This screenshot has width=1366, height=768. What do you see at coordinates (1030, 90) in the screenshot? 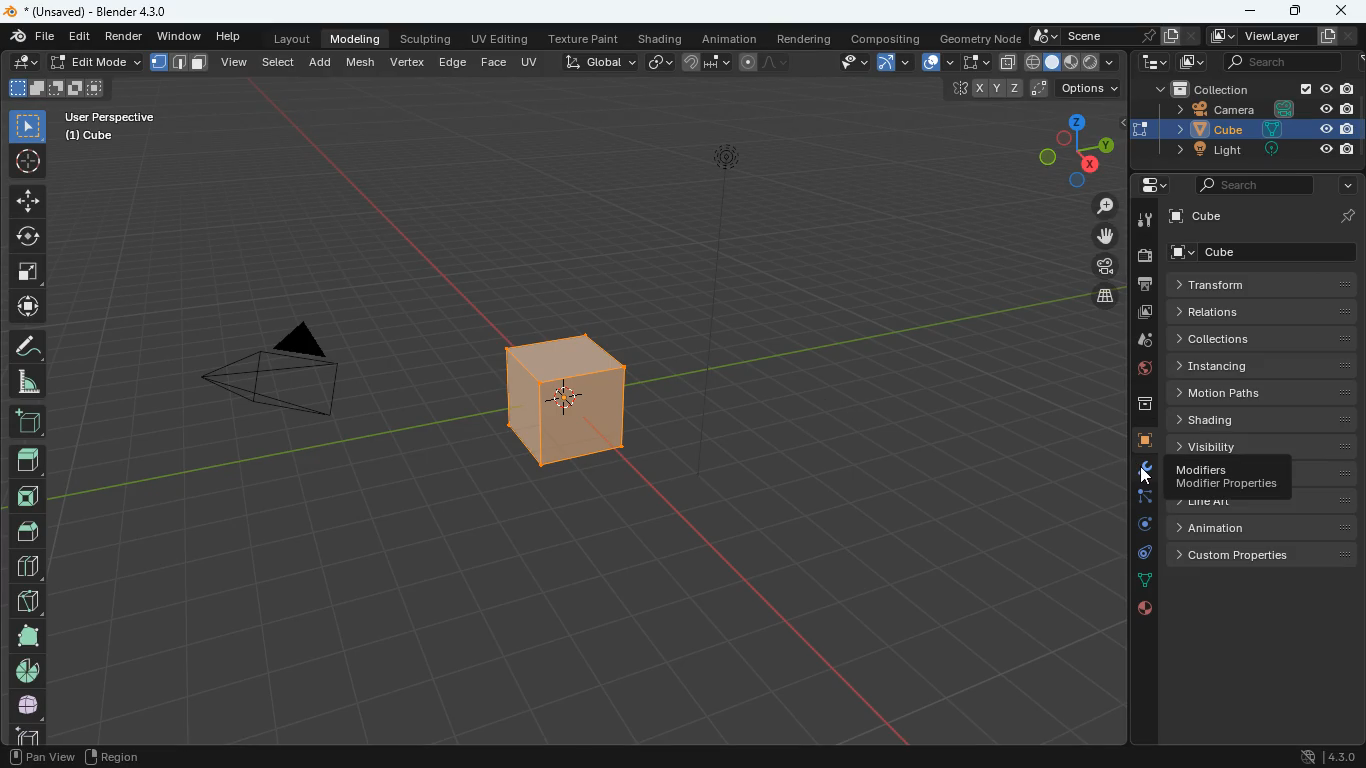
I see `coordinates` at bounding box center [1030, 90].